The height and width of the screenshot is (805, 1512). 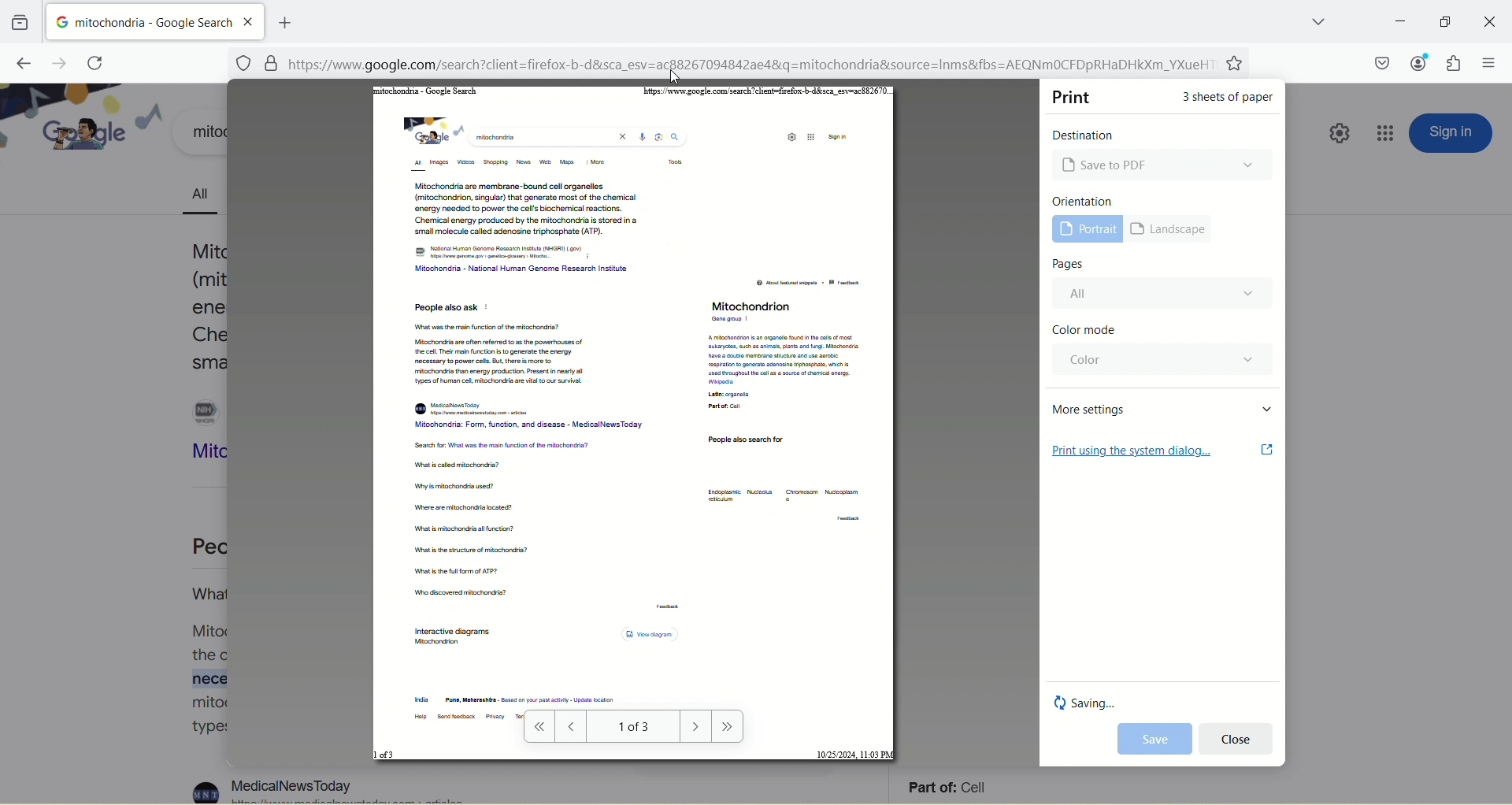 I want to click on site information, so click(x=243, y=63).